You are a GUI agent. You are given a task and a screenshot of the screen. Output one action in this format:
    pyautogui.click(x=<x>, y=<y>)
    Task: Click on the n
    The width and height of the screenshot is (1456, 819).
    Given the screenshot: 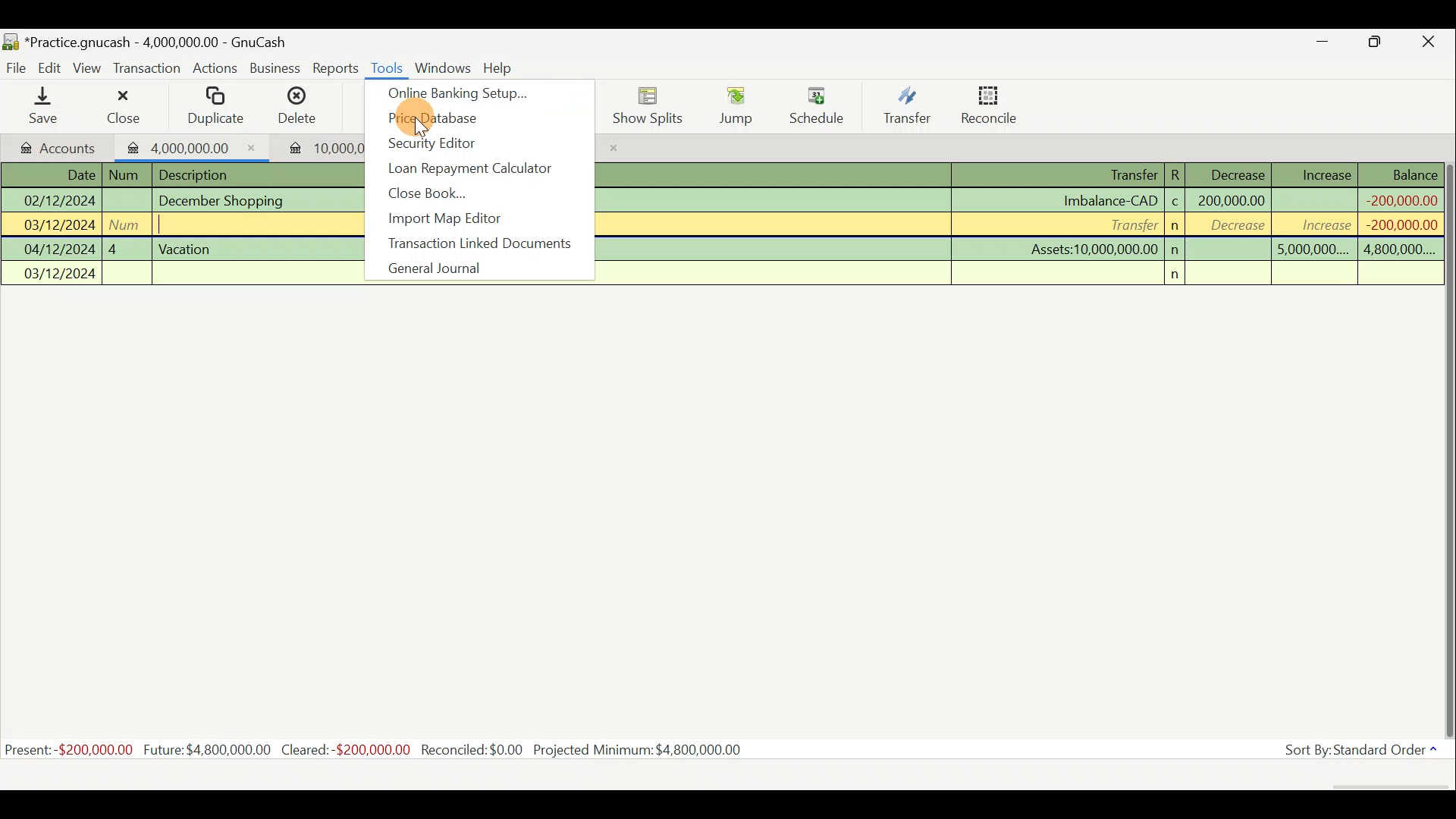 What is the action you would take?
    pyautogui.click(x=1180, y=275)
    